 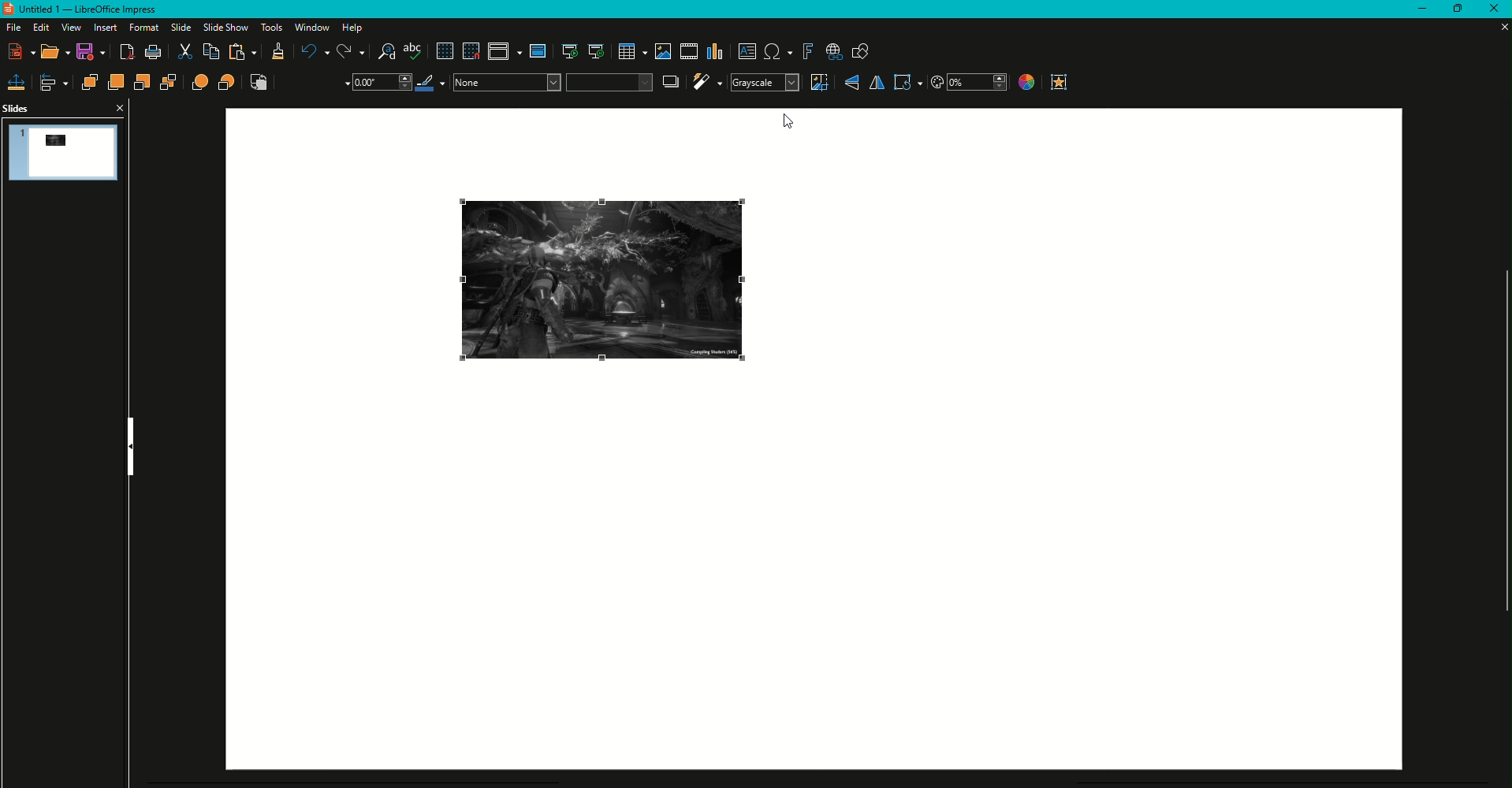 What do you see at coordinates (141, 28) in the screenshot?
I see `Format` at bounding box center [141, 28].